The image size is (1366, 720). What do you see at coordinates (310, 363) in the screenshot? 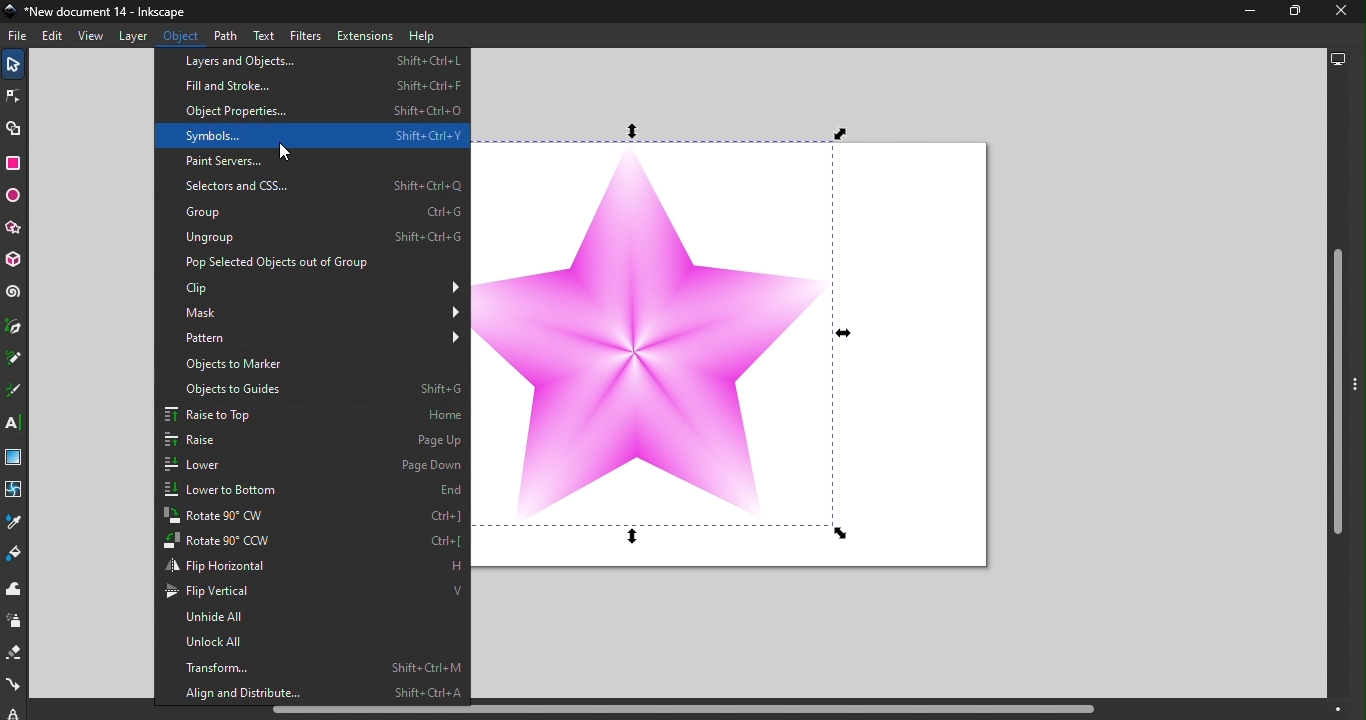
I see `Objects to marker` at bounding box center [310, 363].